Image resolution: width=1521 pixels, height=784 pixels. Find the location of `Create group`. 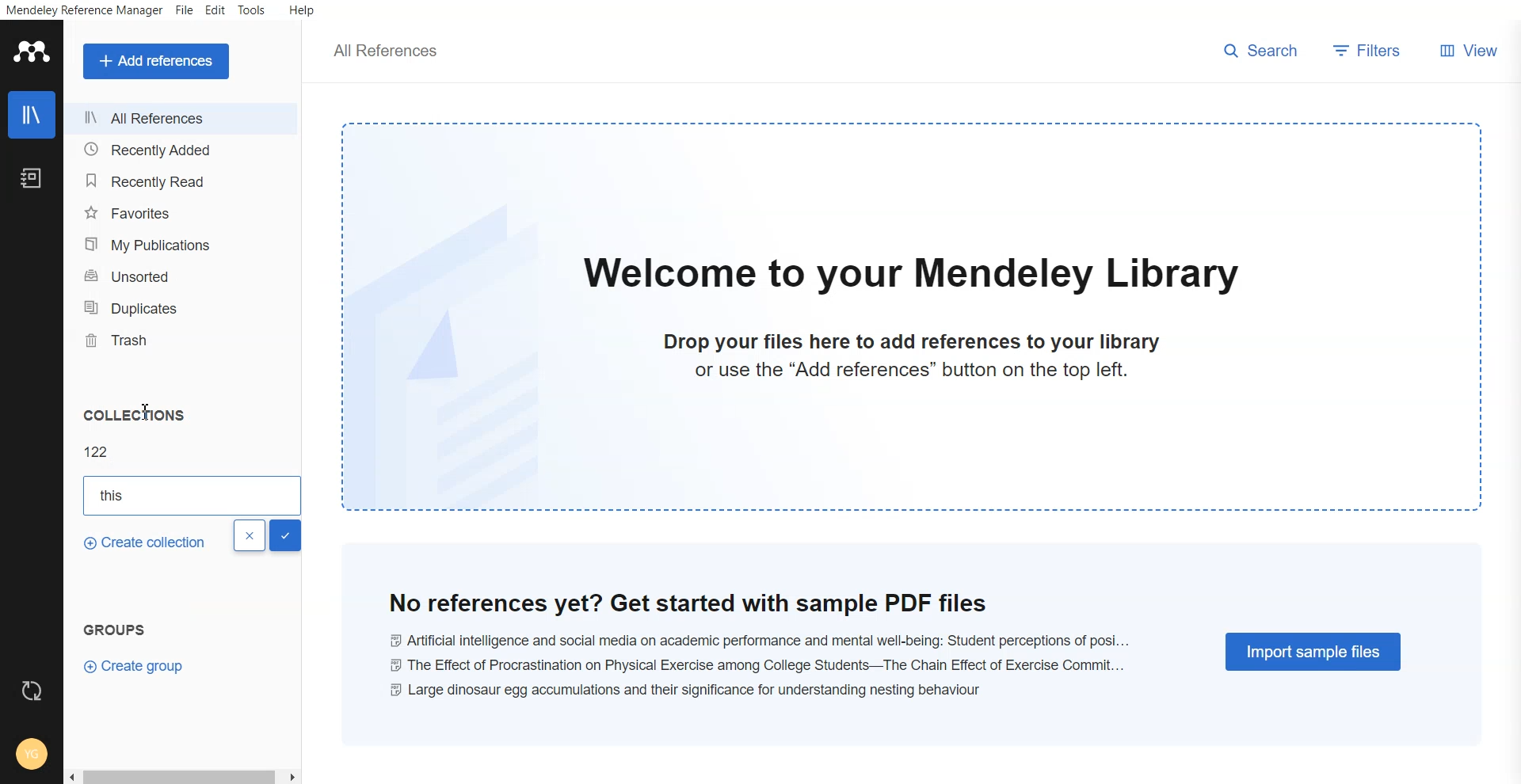

Create group is located at coordinates (142, 666).